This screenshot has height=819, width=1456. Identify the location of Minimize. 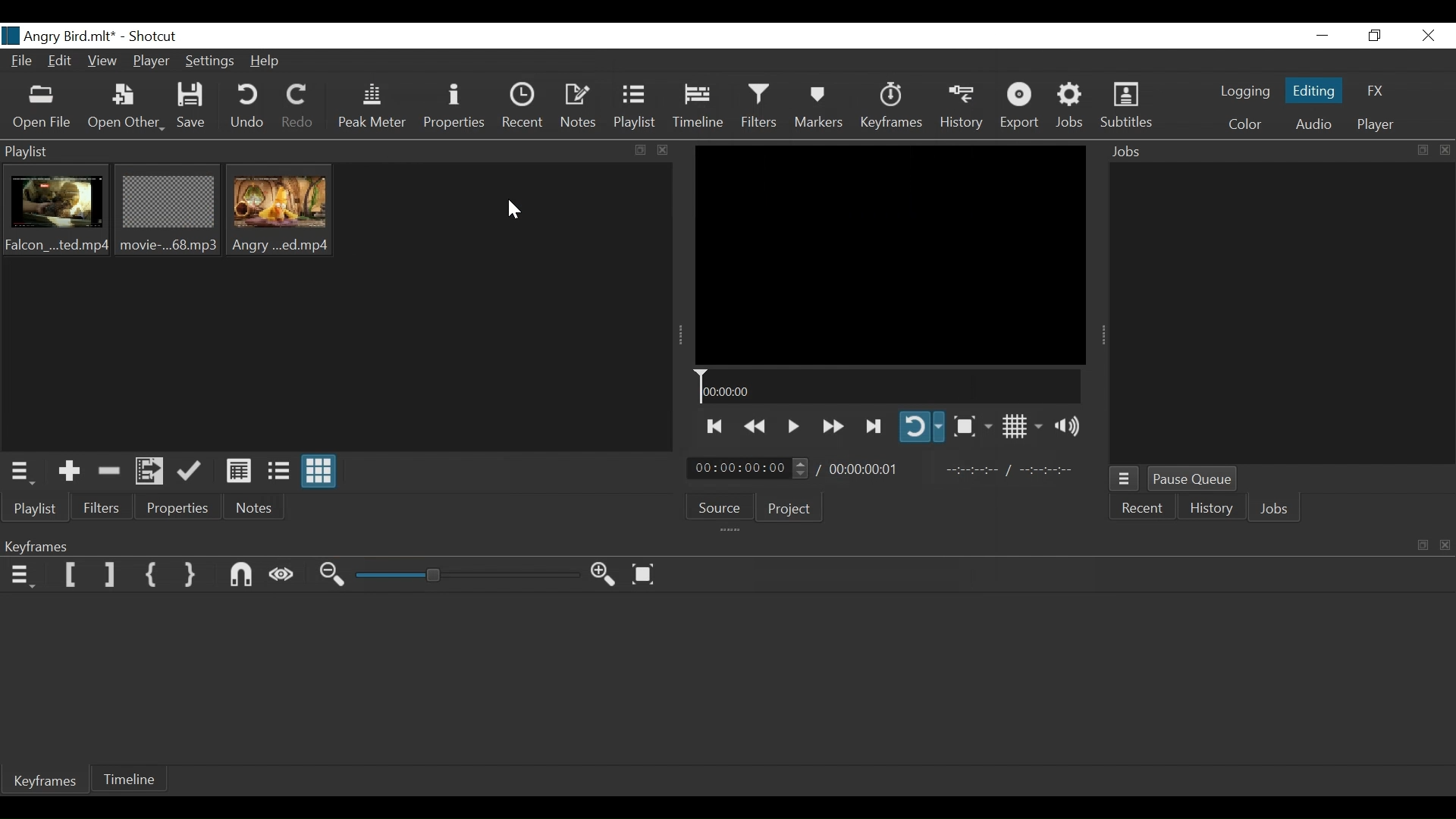
(1321, 36).